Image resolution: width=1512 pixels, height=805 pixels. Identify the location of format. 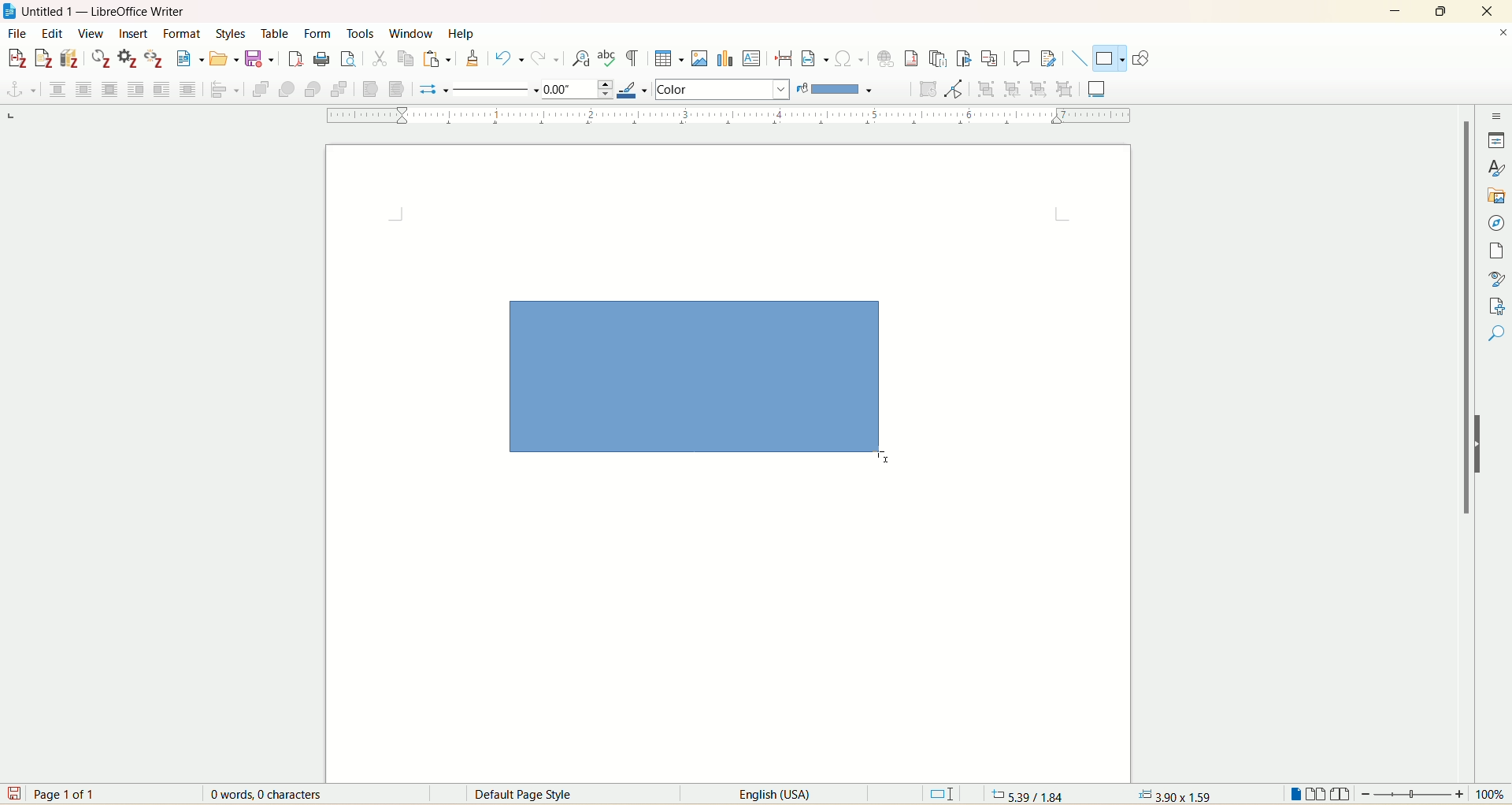
(185, 34).